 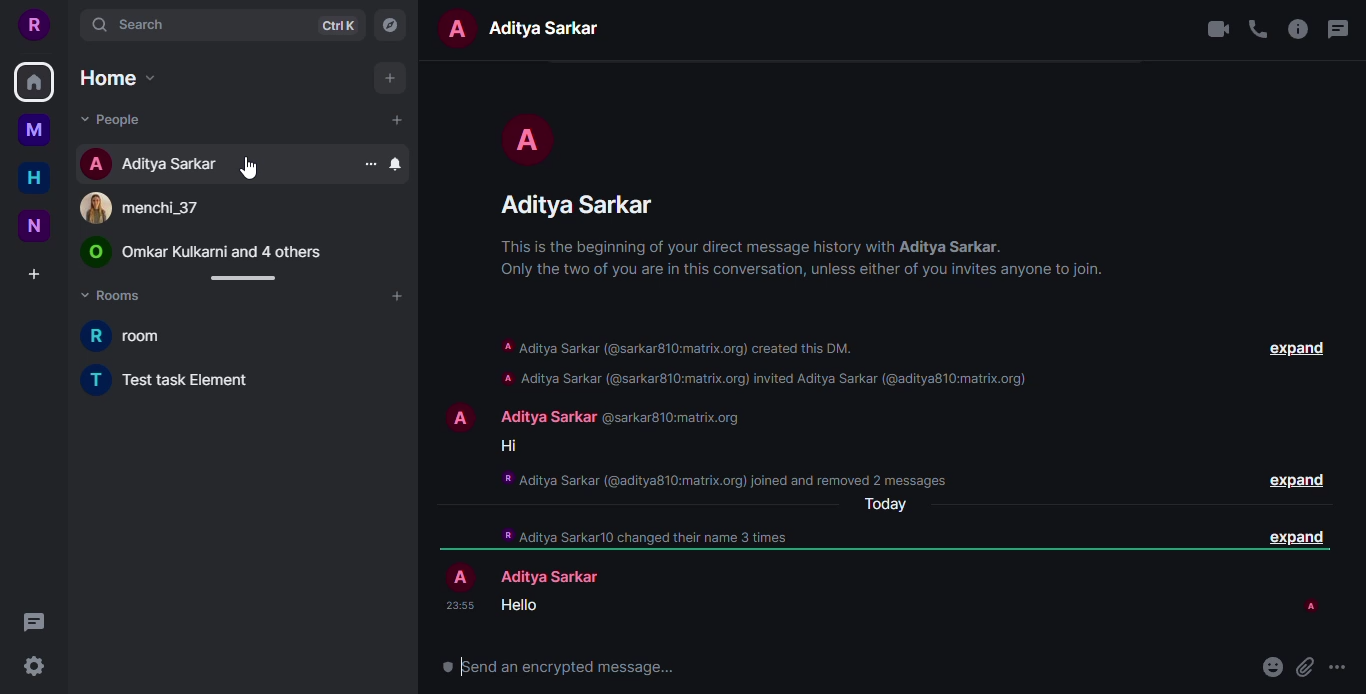 I want to click on more options, so click(x=1340, y=670).